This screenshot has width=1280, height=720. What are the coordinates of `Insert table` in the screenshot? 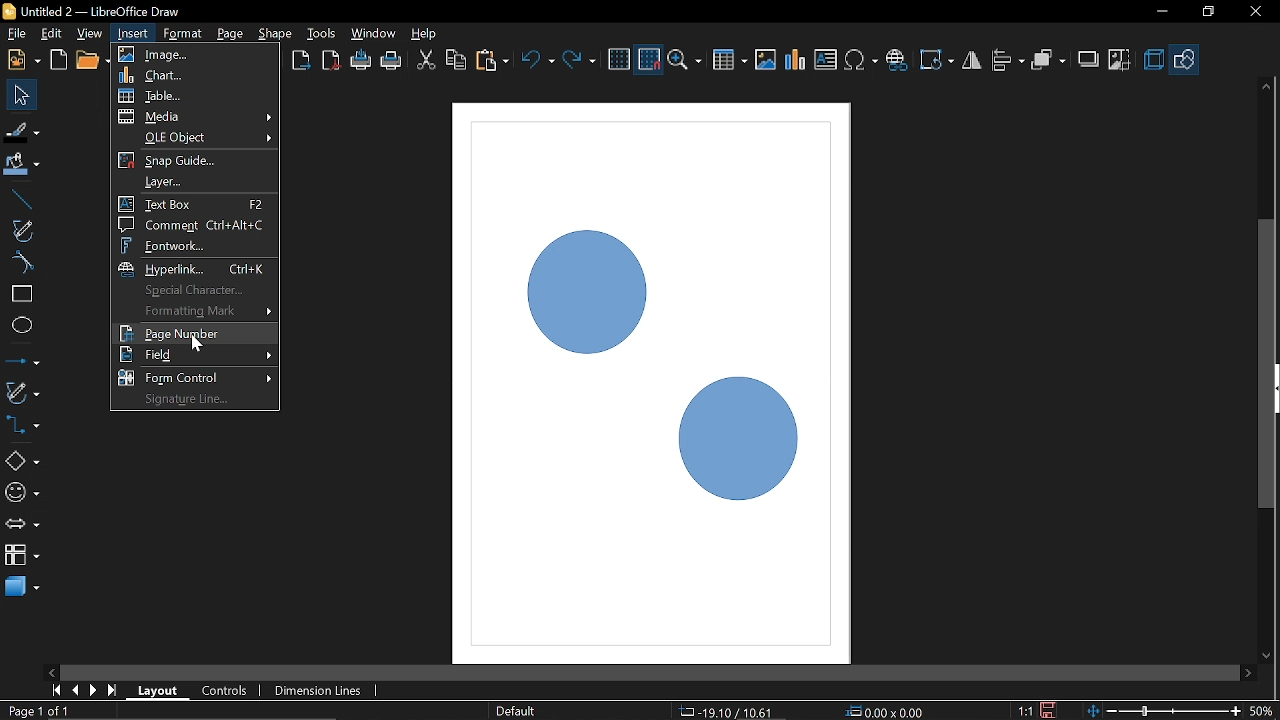 It's located at (730, 61).